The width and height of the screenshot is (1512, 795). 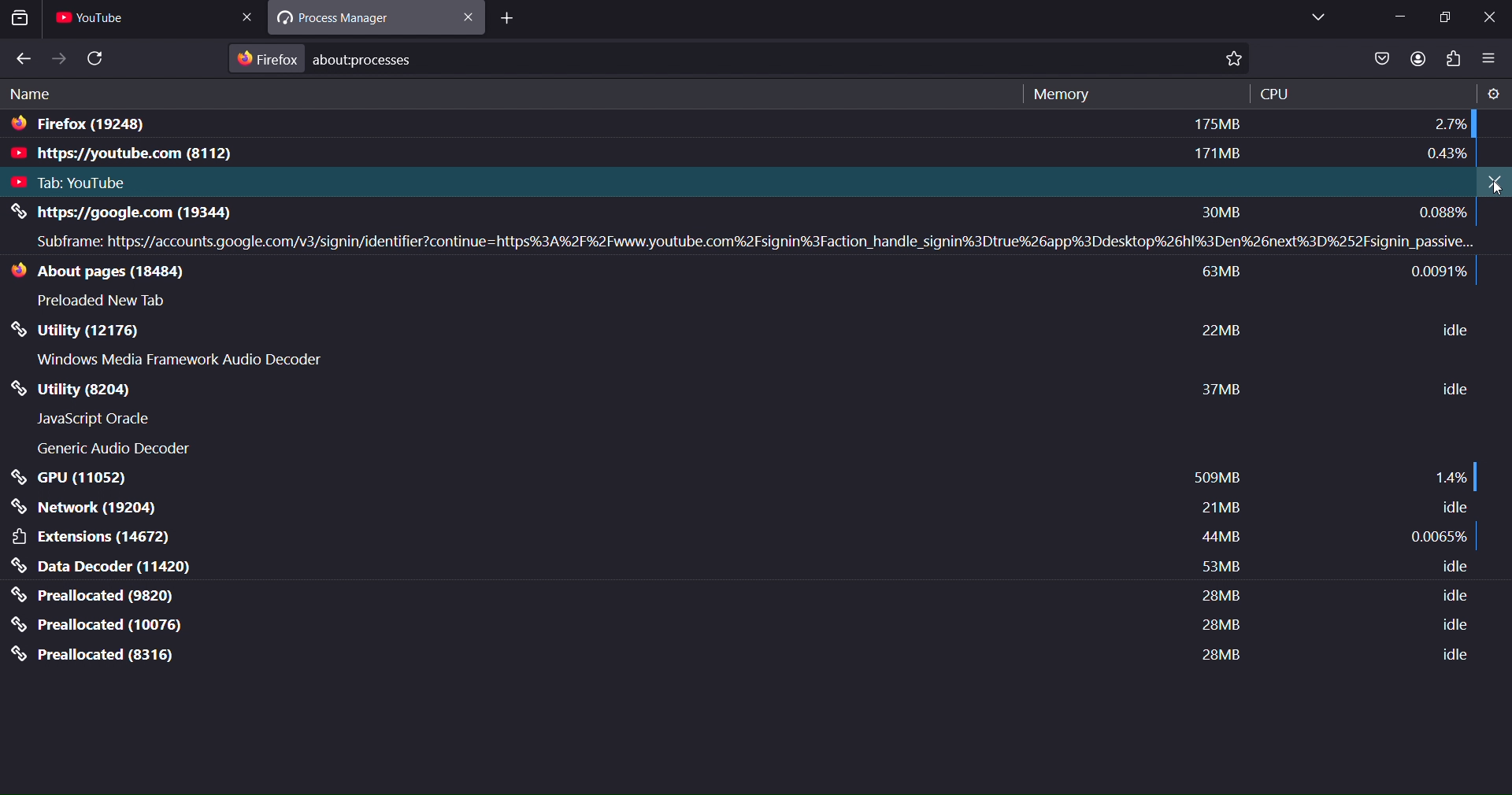 What do you see at coordinates (1453, 568) in the screenshot?
I see `idle` at bounding box center [1453, 568].